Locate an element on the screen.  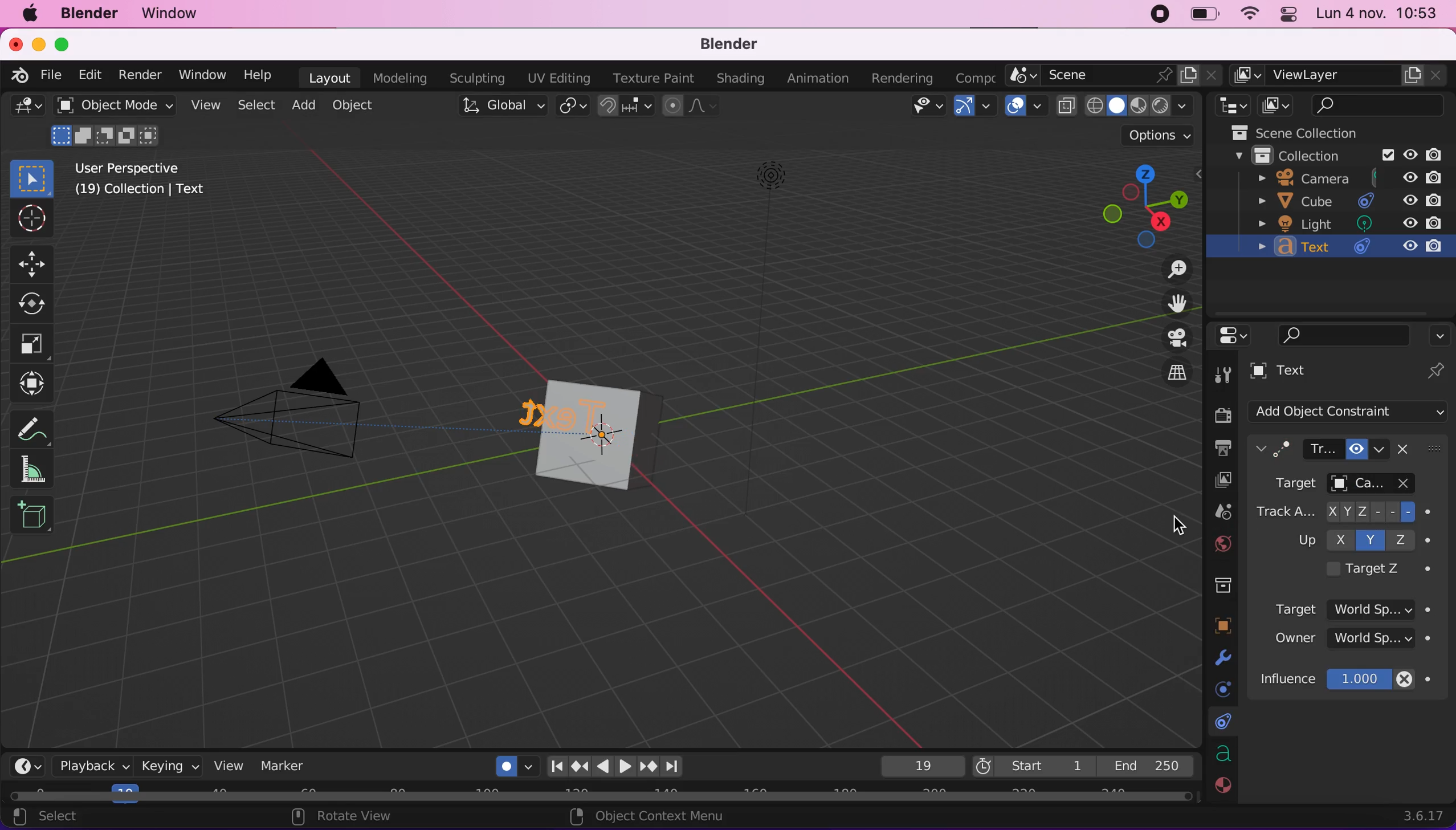
animation is located at coordinates (821, 78).